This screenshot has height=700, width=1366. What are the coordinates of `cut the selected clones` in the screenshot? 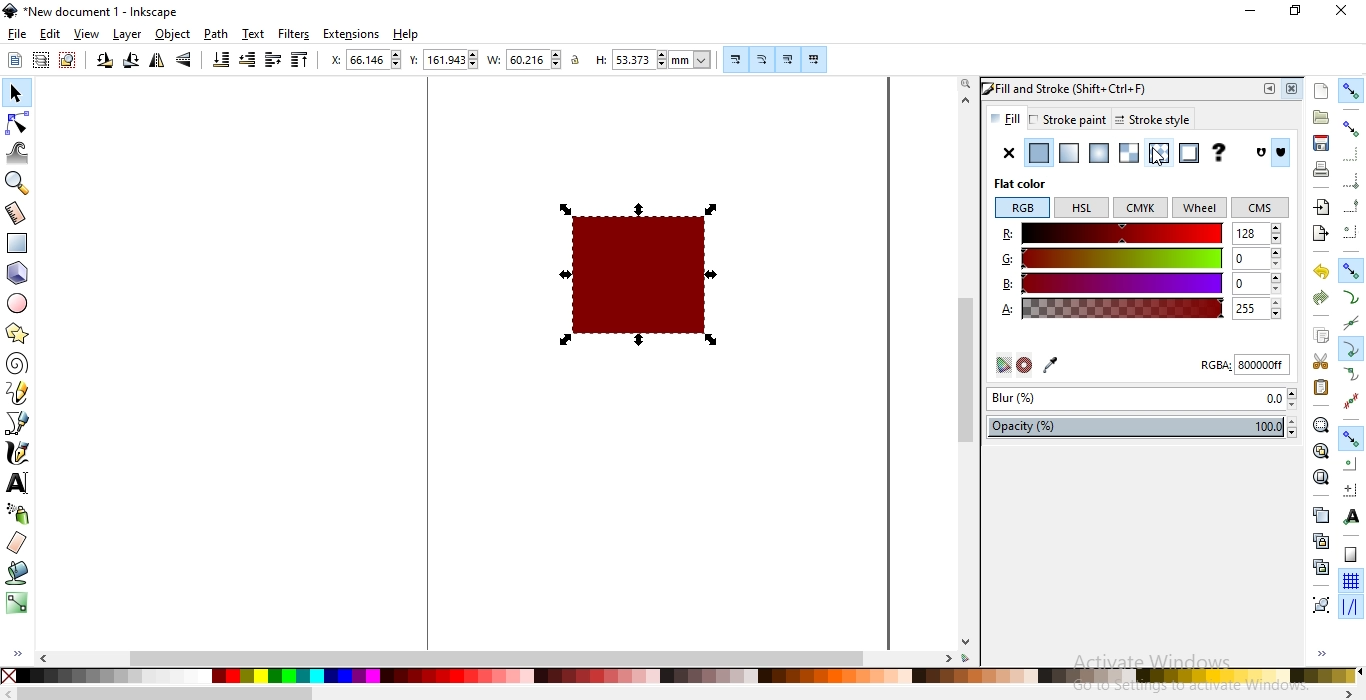 It's located at (1321, 566).